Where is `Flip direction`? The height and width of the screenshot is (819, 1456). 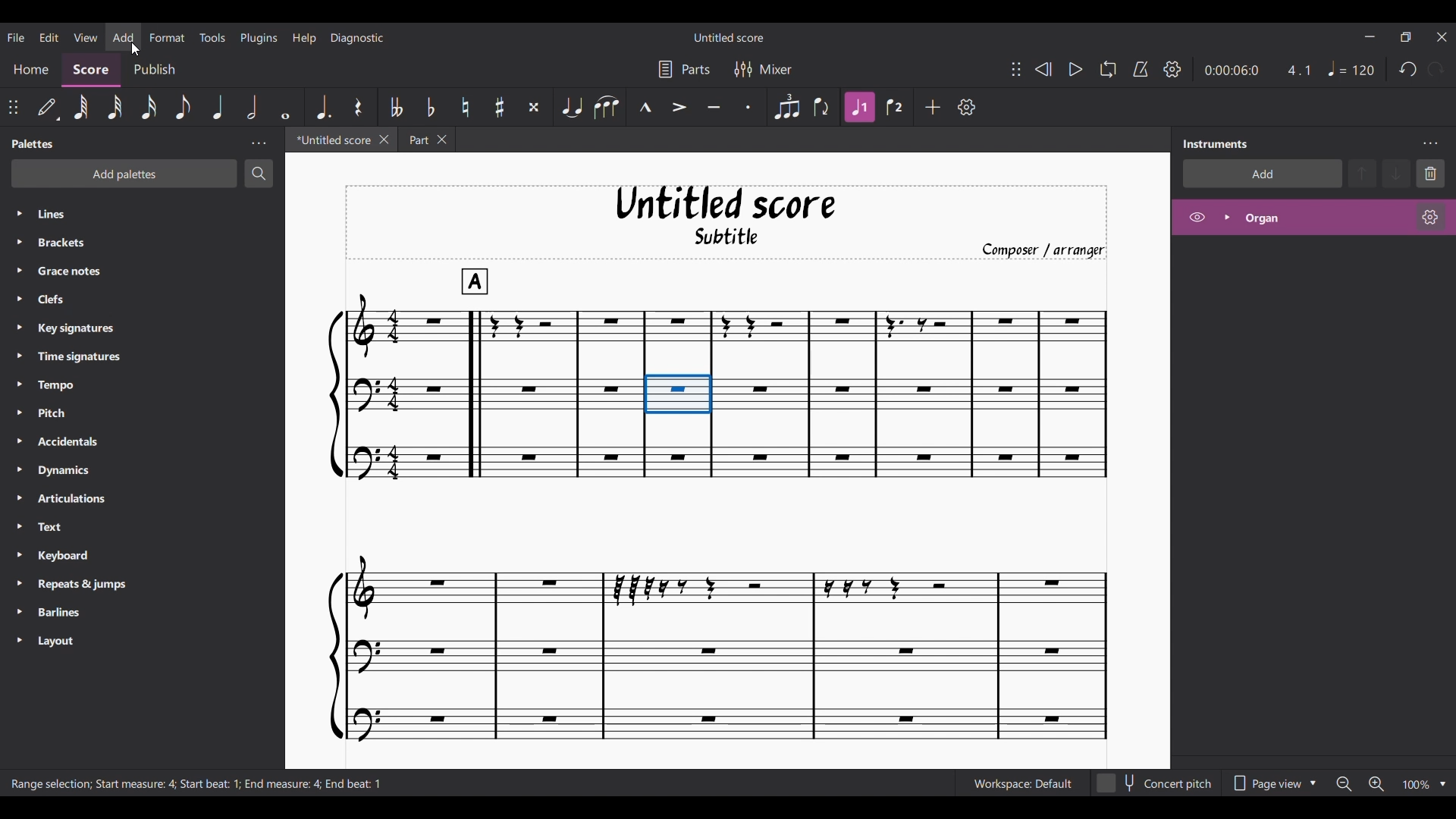
Flip direction is located at coordinates (822, 108).